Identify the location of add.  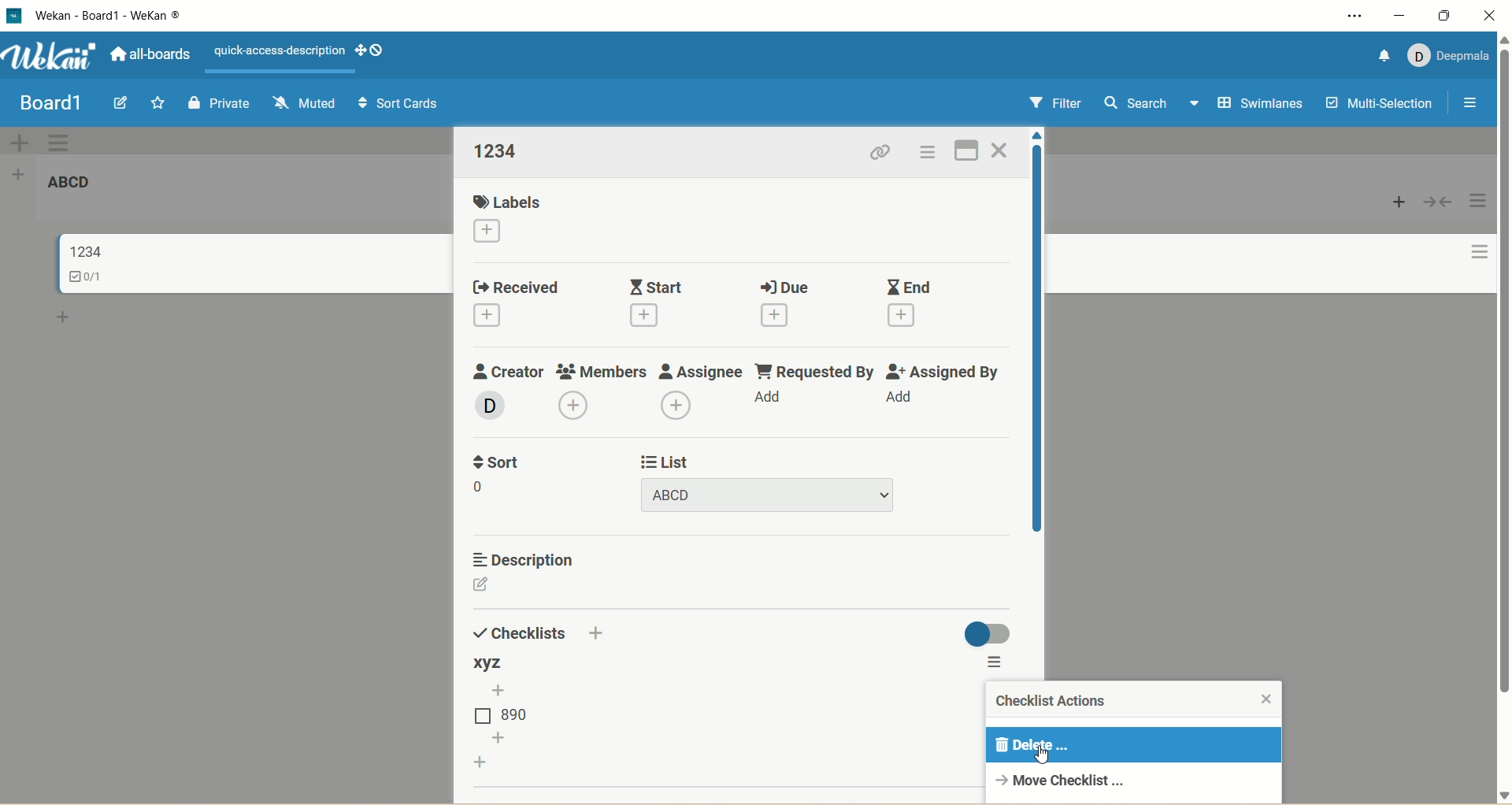
(913, 317).